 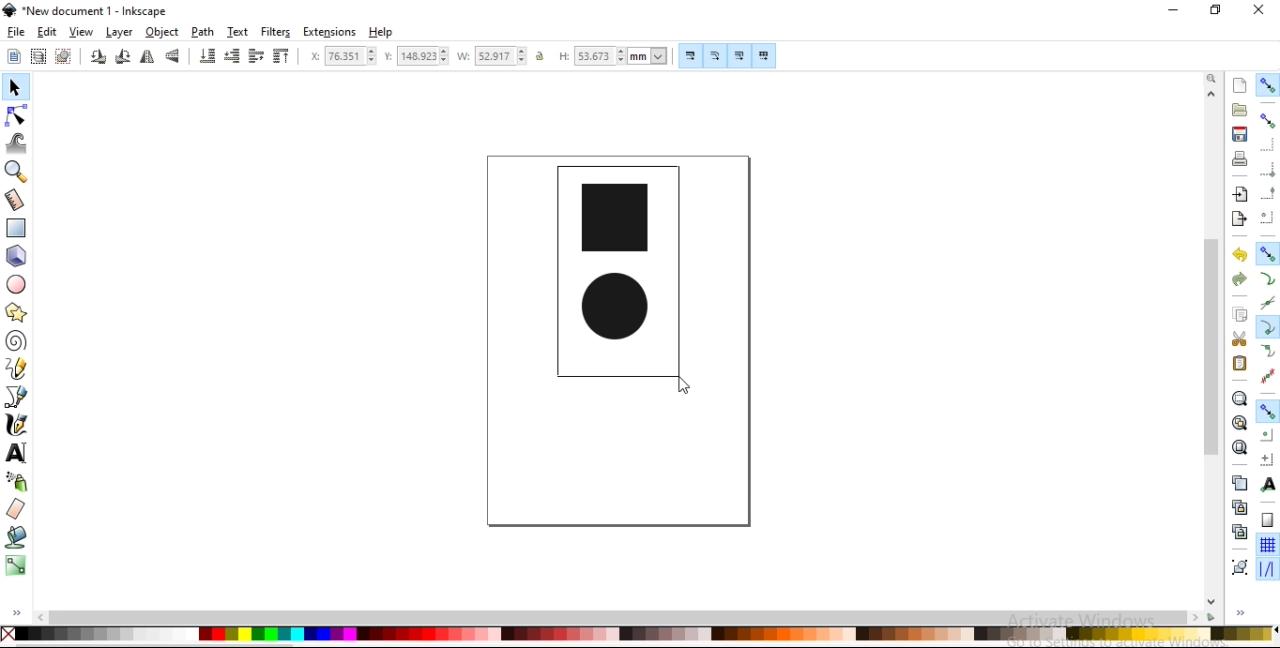 I want to click on create a new document, so click(x=1241, y=85).